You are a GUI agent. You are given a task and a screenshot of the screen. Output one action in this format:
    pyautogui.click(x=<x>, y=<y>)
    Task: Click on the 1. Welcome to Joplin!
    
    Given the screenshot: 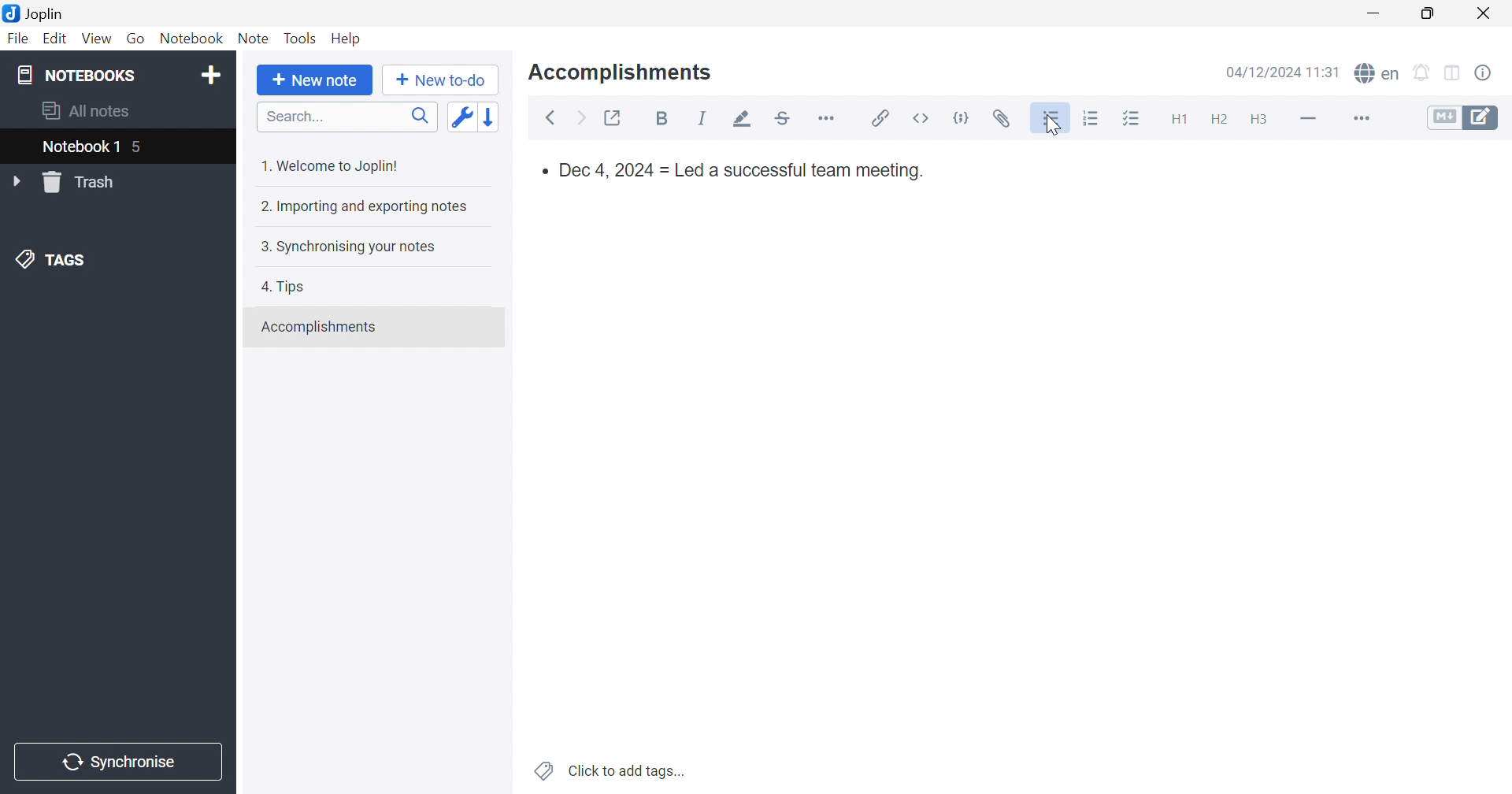 What is the action you would take?
    pyautogui.click(x=335, y=165)
    